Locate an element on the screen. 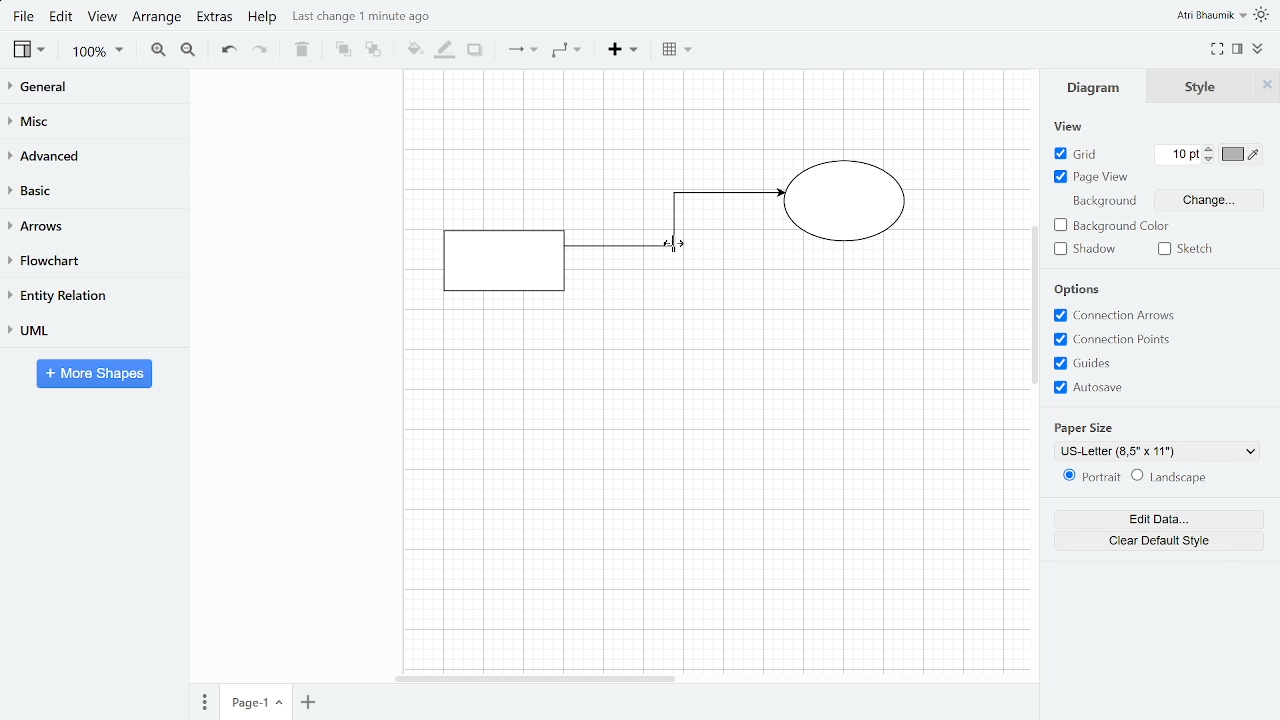  Clear default style is located at coordinates (1156, 541).